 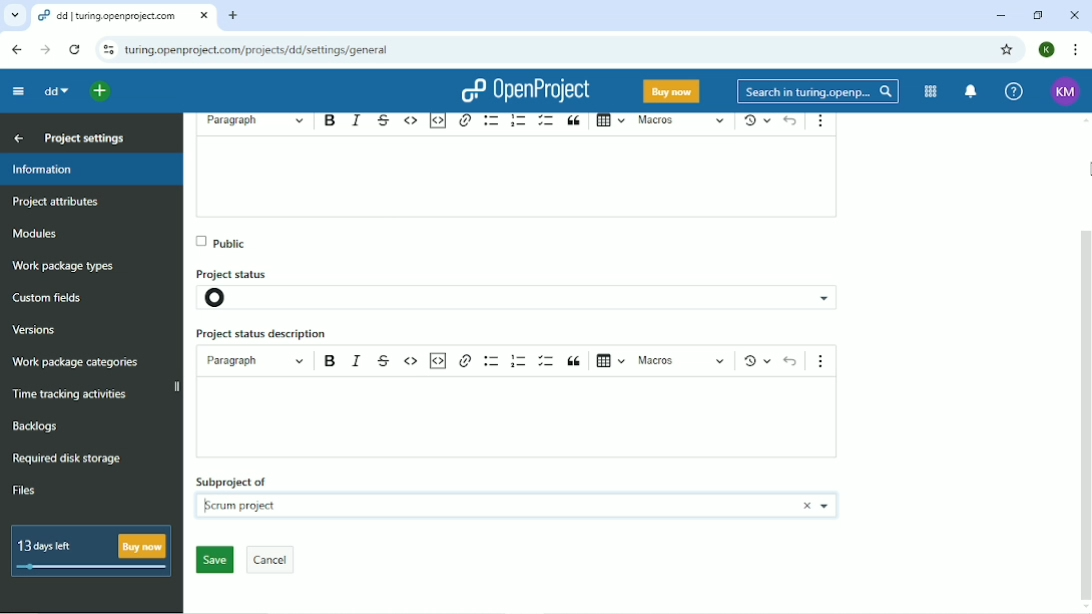 What do you see at coordinates (67, 460) in the screenshot?
I see `Required disk storage` at bounding box center [67, 460].